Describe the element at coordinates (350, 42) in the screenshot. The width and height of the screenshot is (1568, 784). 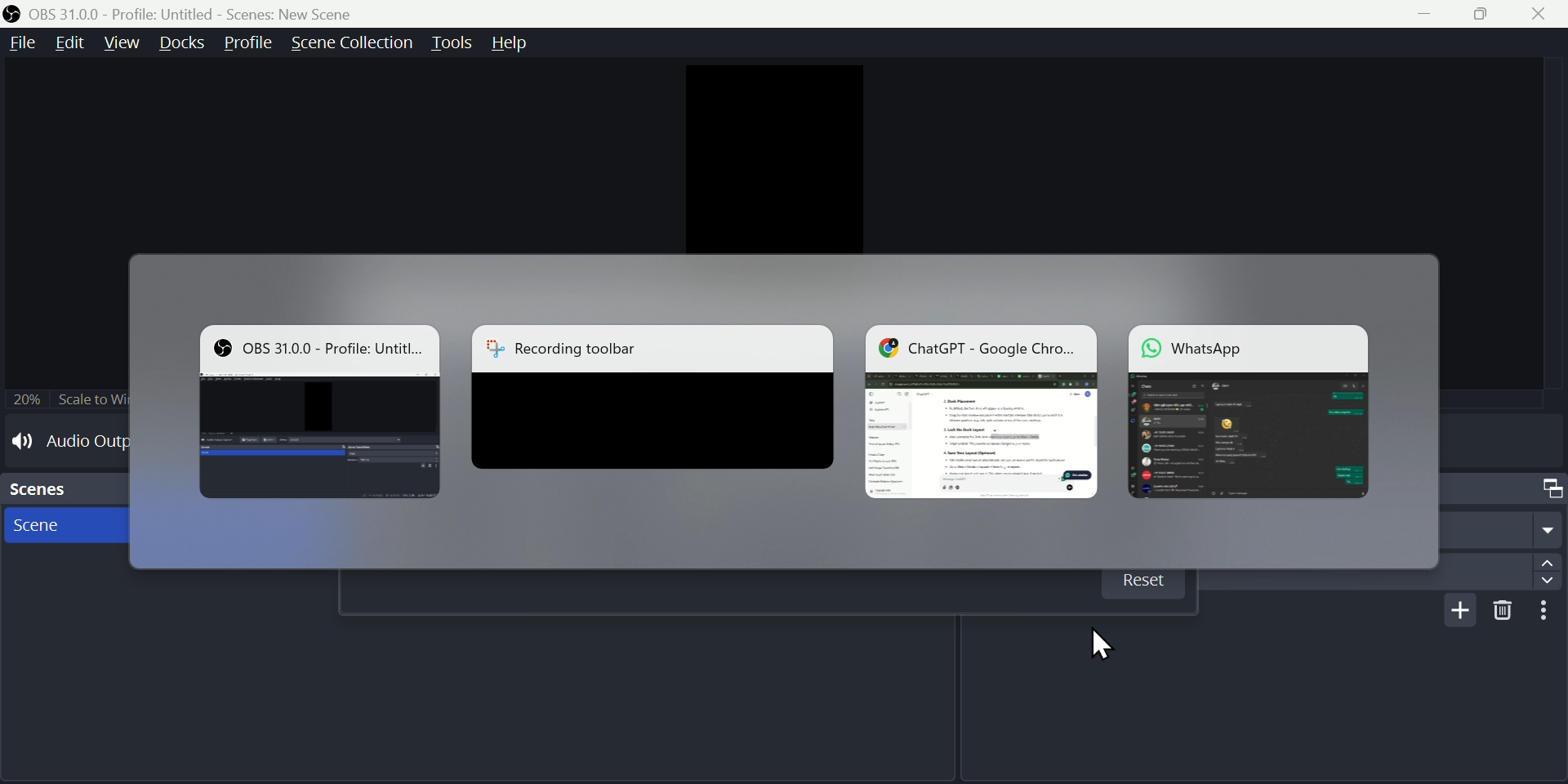
I see `scene collection` at that location.